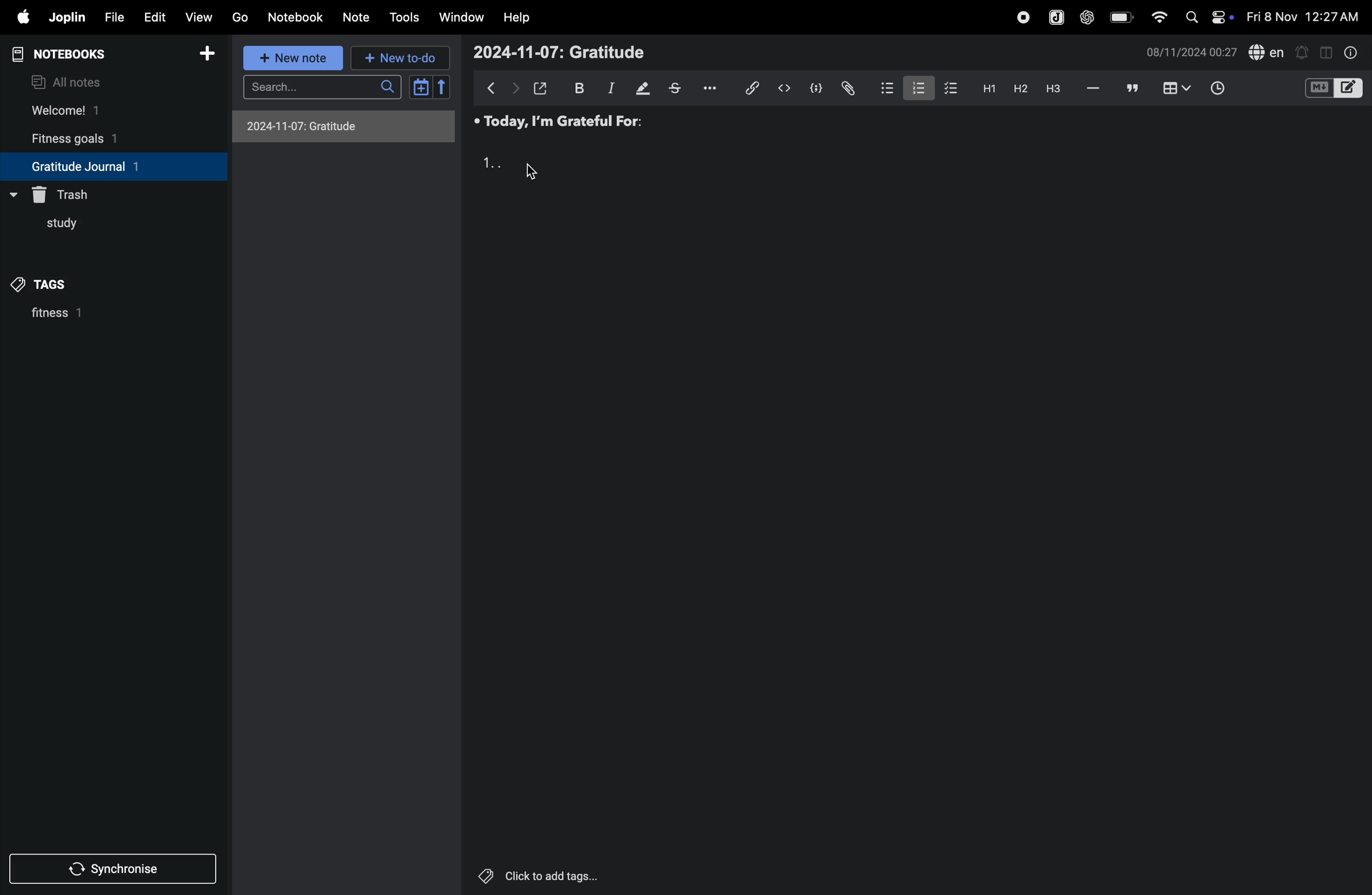  I want to click on apple menu, so click(18, 17).